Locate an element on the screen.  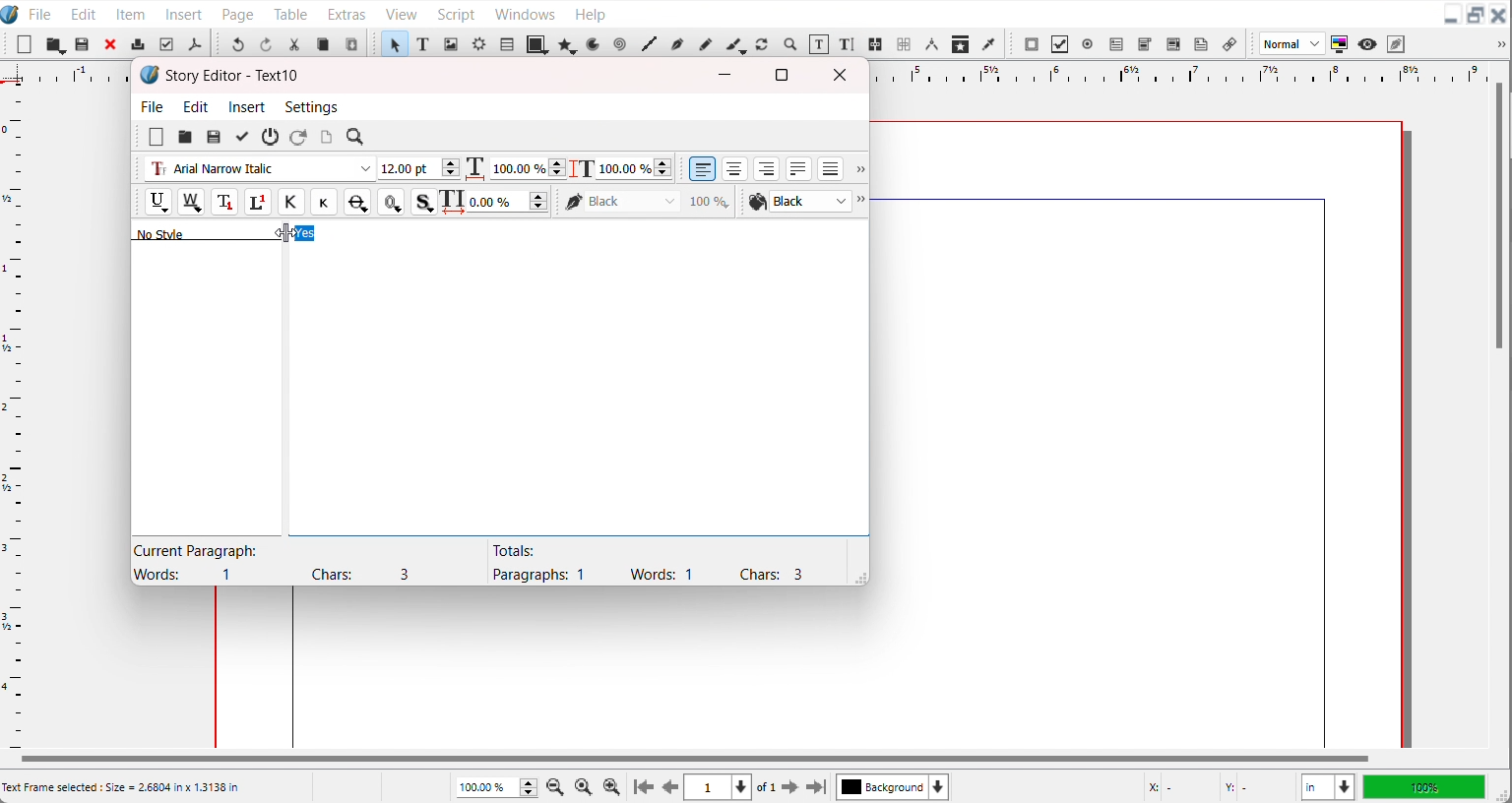
Minimize is located at coordinates (1451, 16).